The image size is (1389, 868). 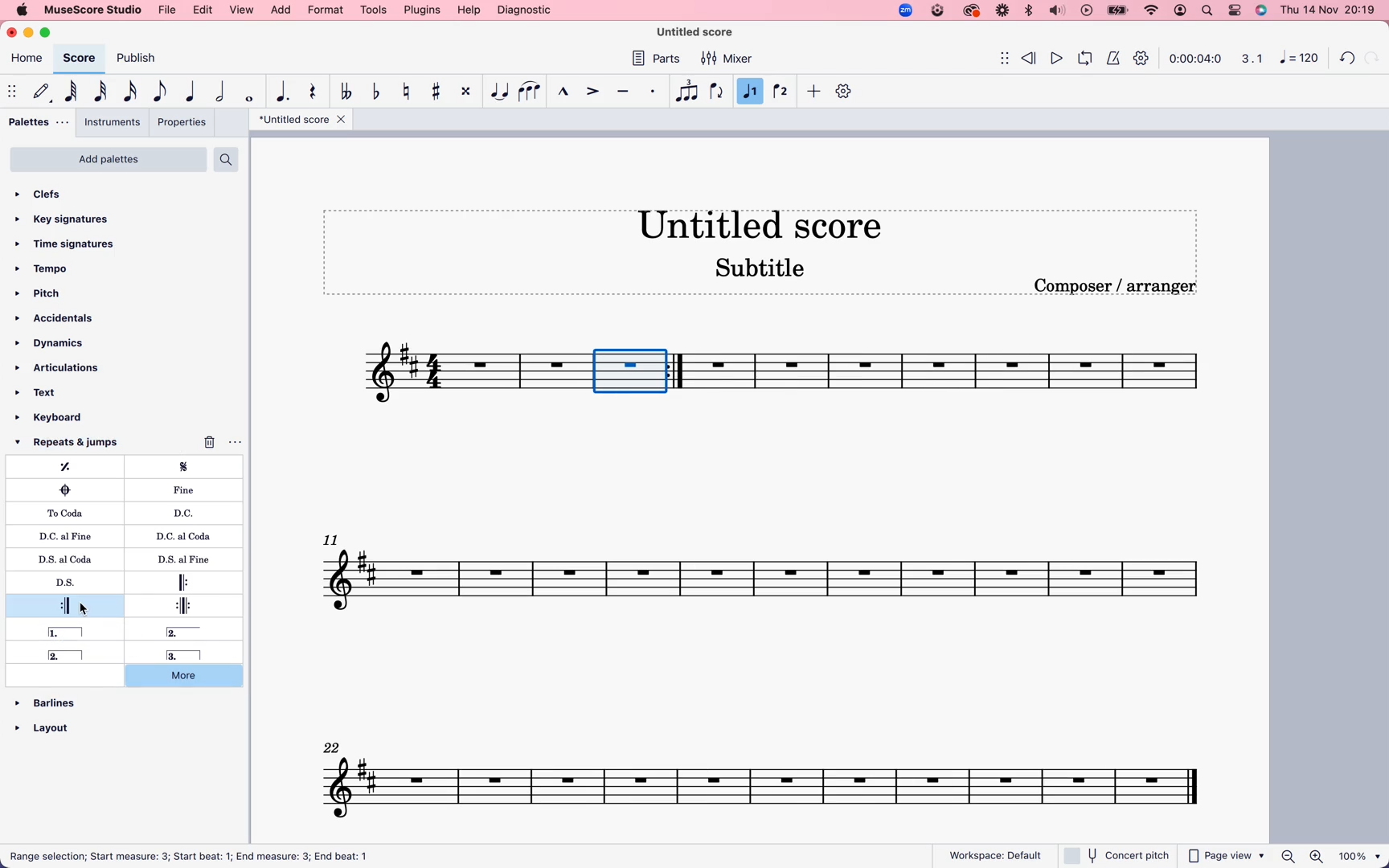 I want to click on segno, so click(x=192, y=468).